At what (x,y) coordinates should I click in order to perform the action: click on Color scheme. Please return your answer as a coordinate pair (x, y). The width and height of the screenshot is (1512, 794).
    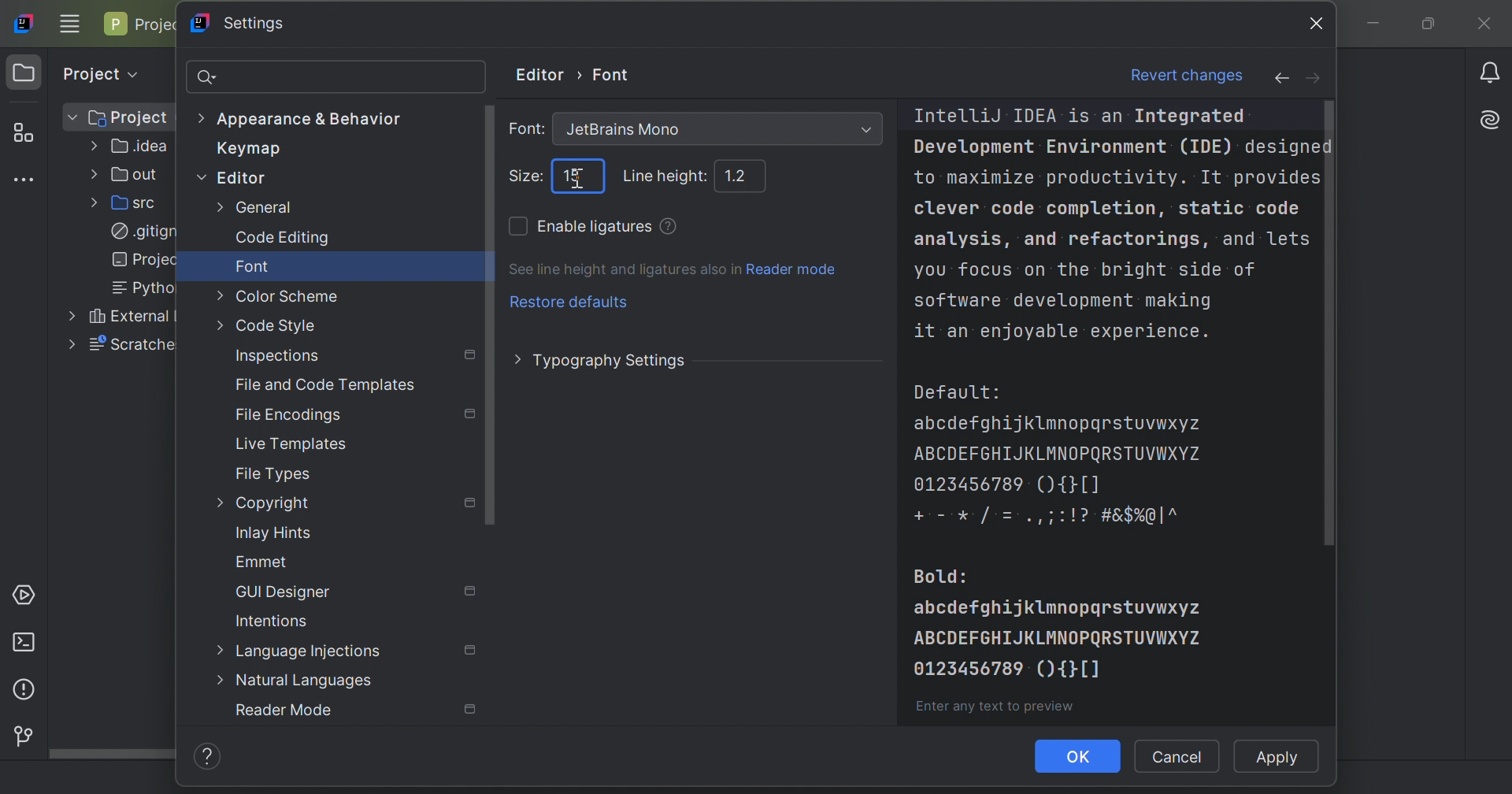
    Looking at the image, I should click on (279, 295).